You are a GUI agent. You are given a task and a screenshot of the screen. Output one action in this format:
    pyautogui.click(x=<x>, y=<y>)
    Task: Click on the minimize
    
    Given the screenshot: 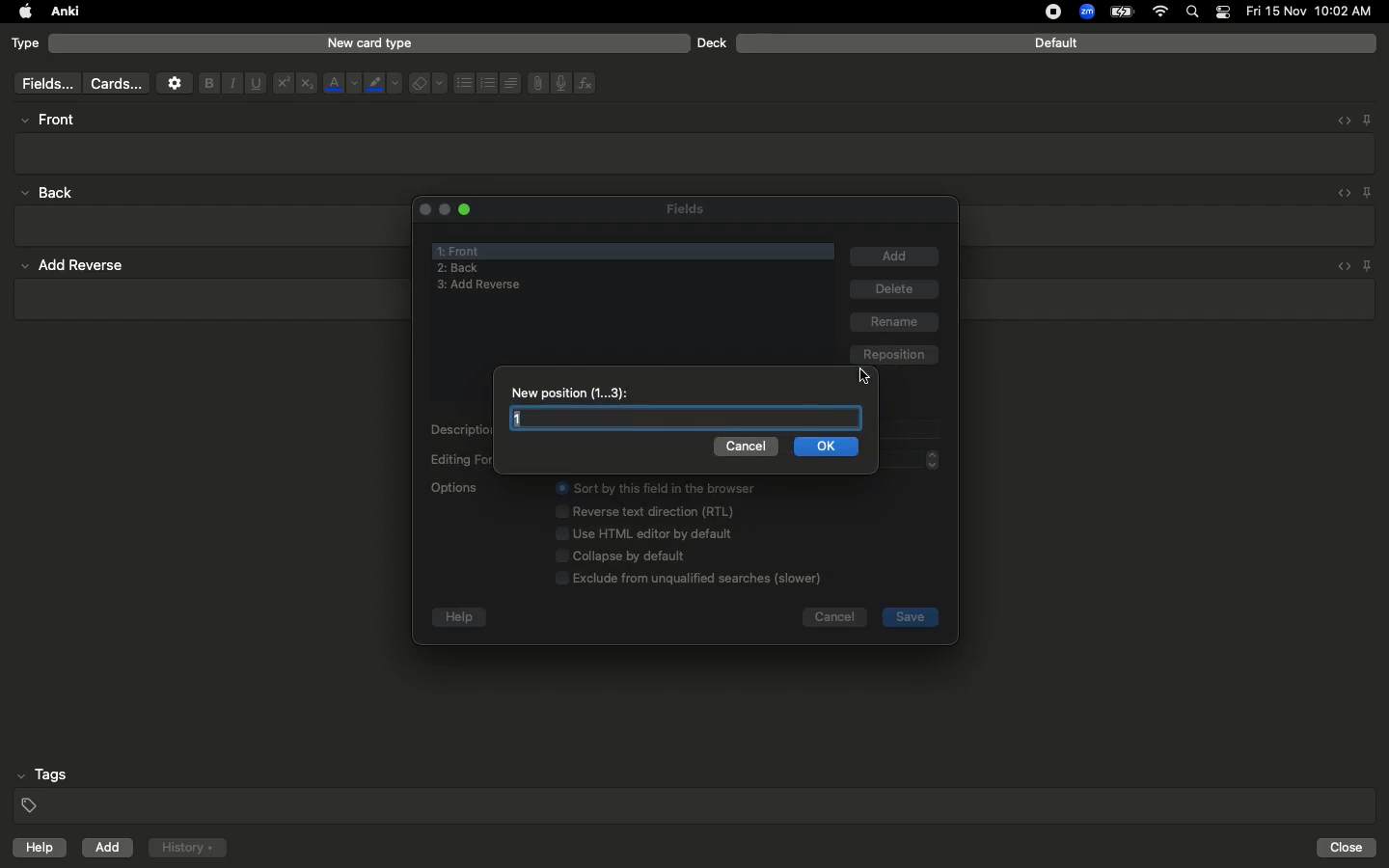 What is the action you would take?
    pyautogui.click(x=443, y=210)
    